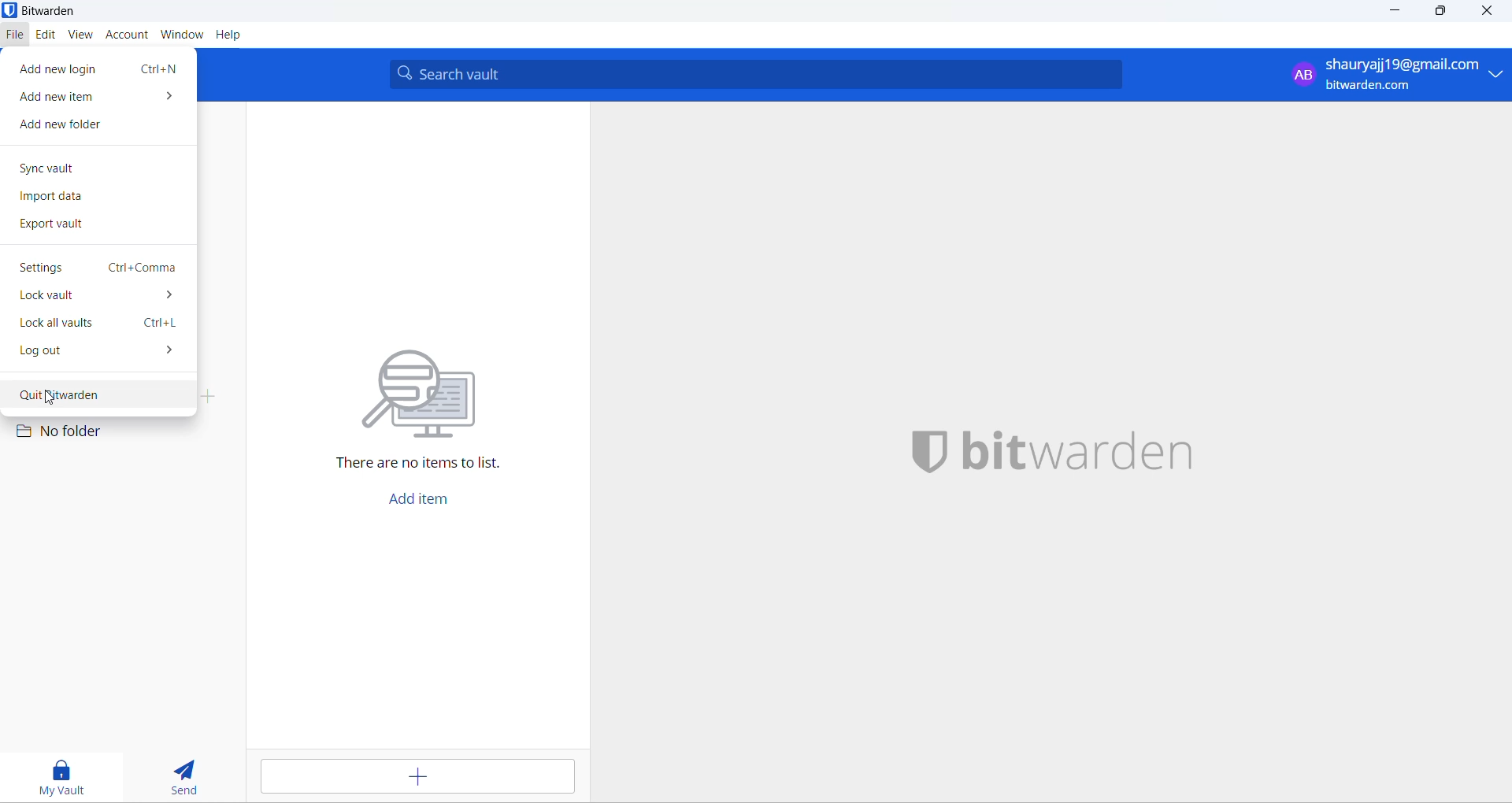 The width and height of the screenshot is (1512, 803). What do you see at coordinates (54, 401) in the screenshot?
I see `cursor` at bounding box center [54, 401].